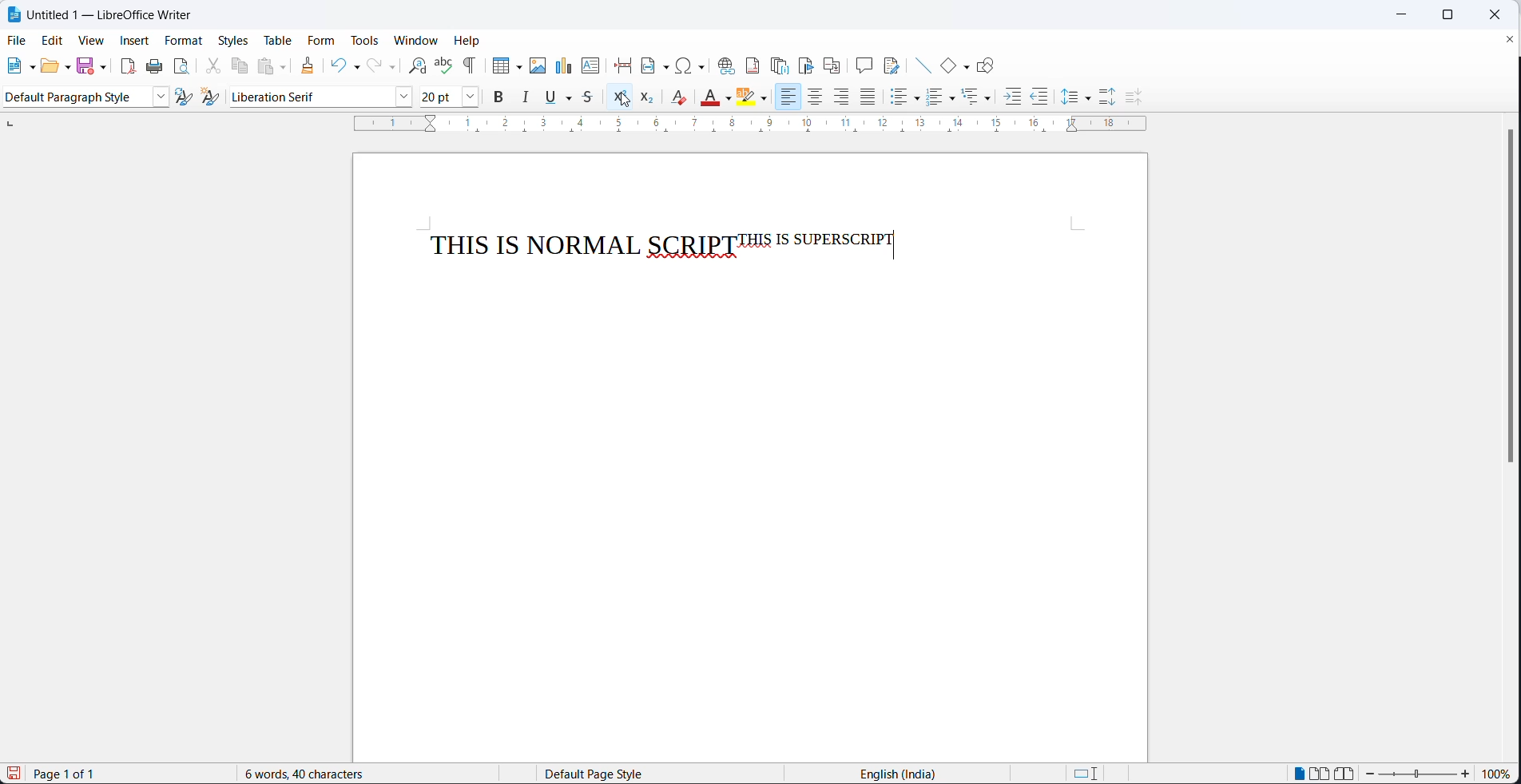 Image resolution: width=1521 pixels, height=784 pixels. What do you see at coordinates (267, 65) in the screenshot?
I see `paste` at bounding box center [267, 65].